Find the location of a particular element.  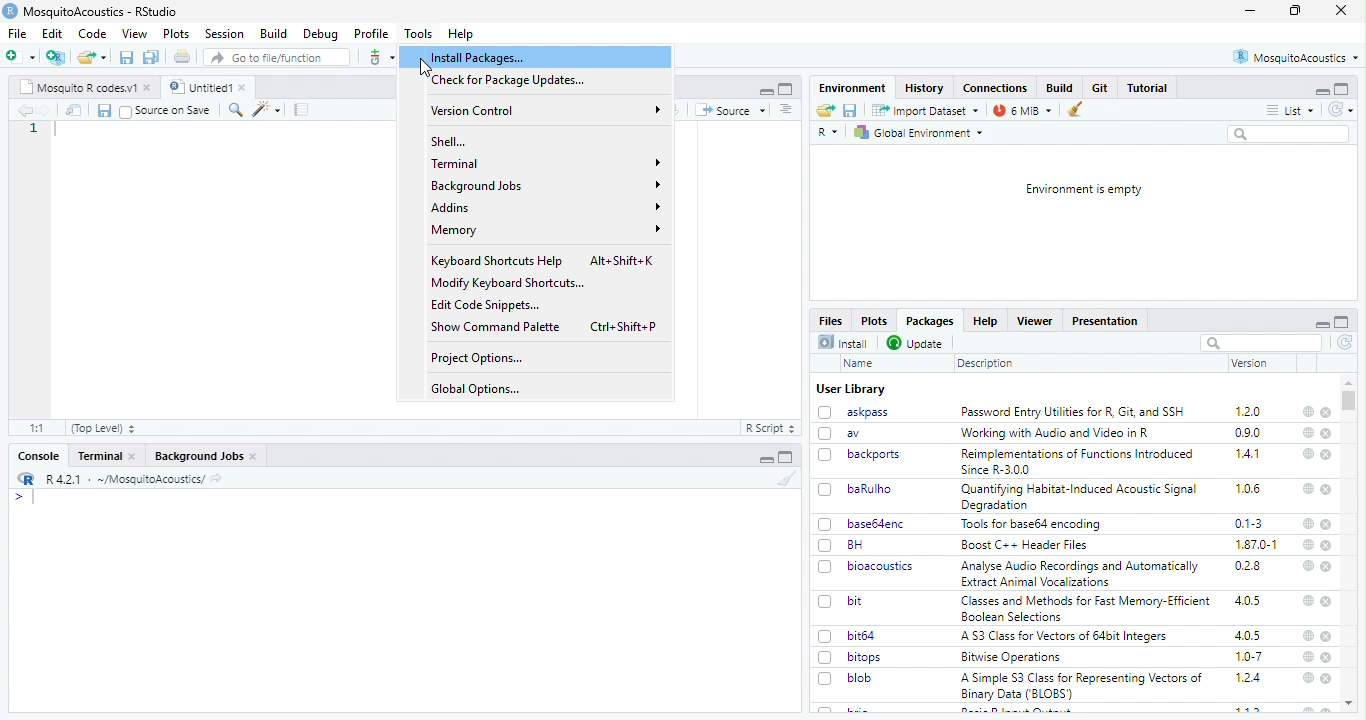

MosquitoAcoustics is located at coordinates (1295, 57).